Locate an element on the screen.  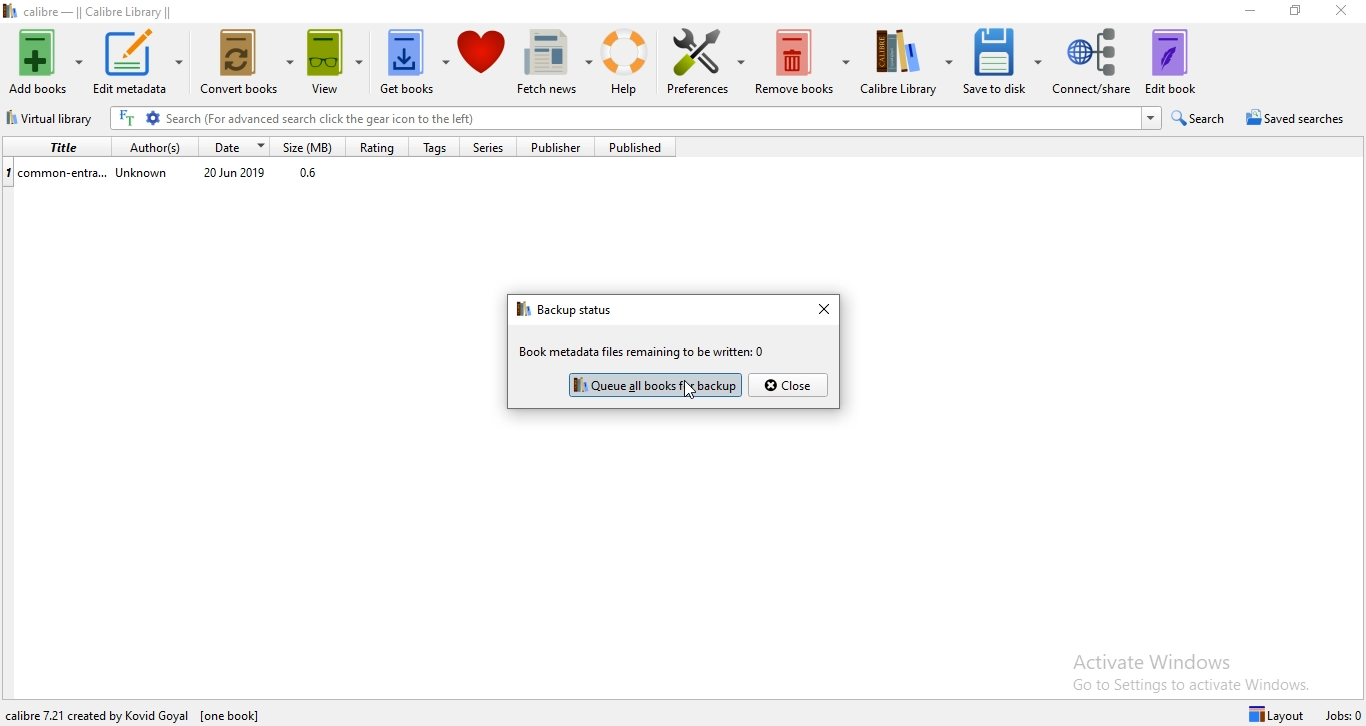
Close is located at coordinates (1339, 15).